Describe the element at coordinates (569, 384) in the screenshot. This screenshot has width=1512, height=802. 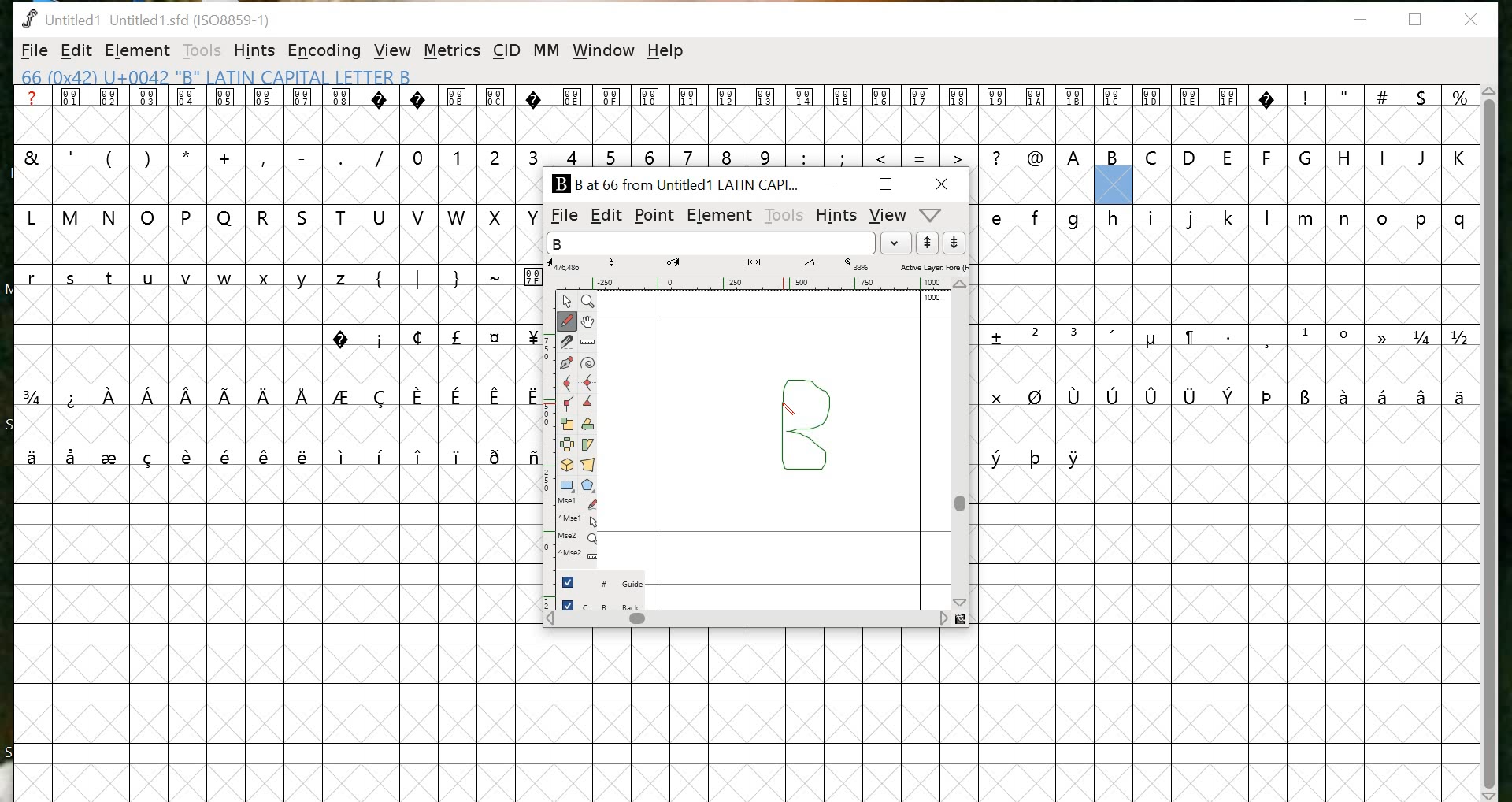
I see `Curve` at that location.